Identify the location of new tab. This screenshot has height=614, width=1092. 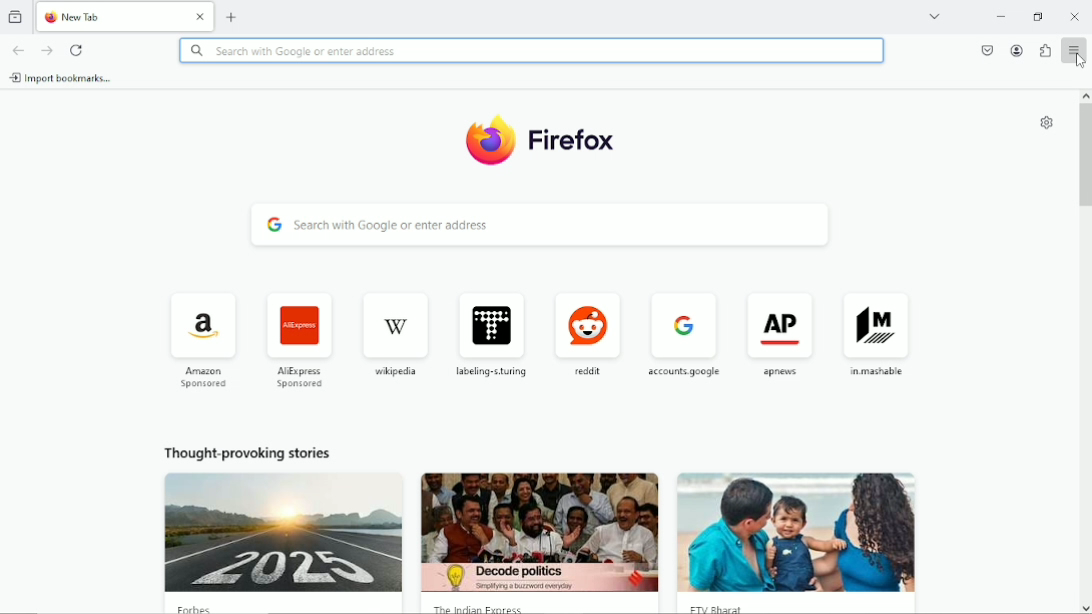
(122, 17).